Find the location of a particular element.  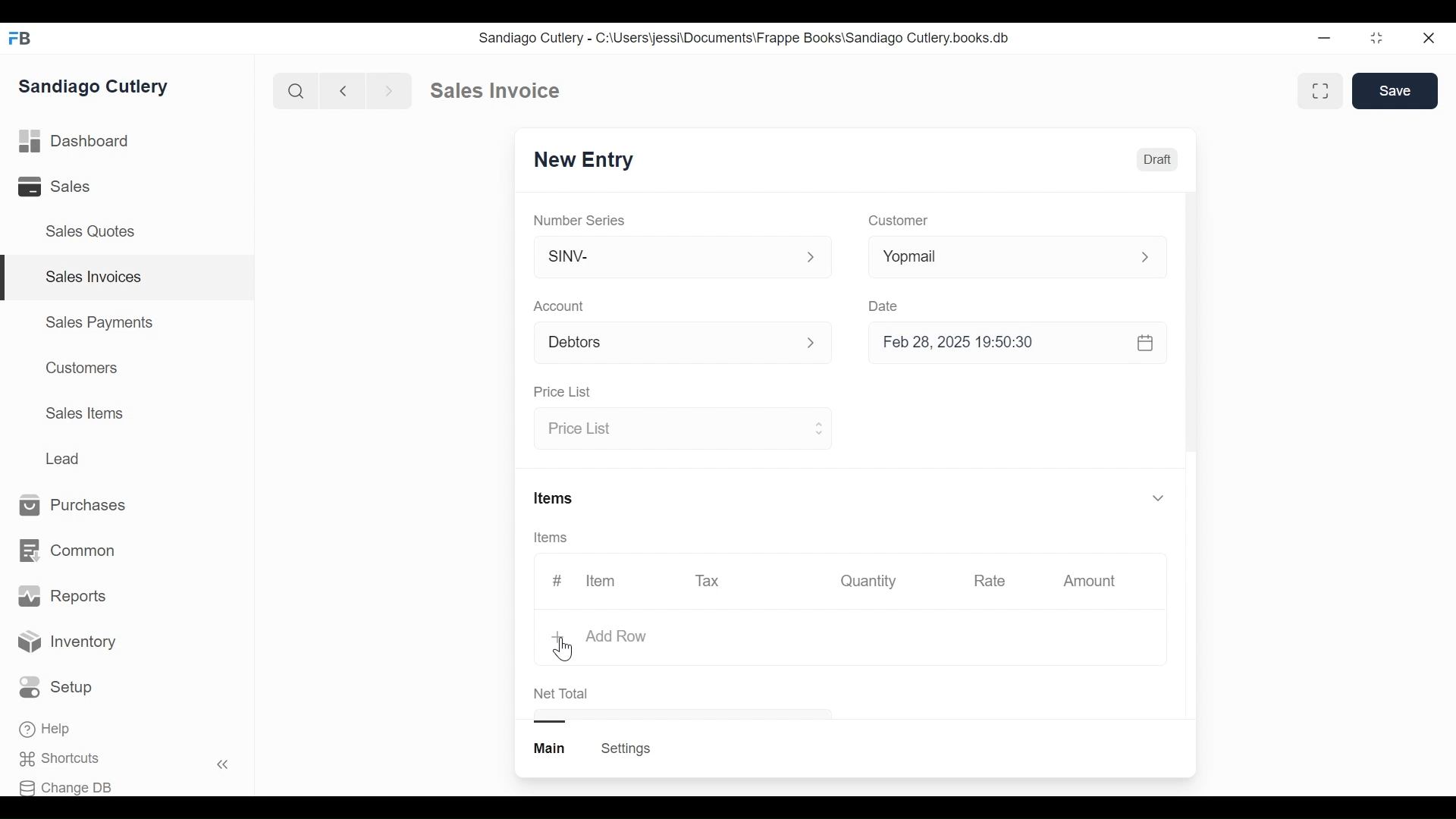

Save  is located at coordinates (1395, 91).